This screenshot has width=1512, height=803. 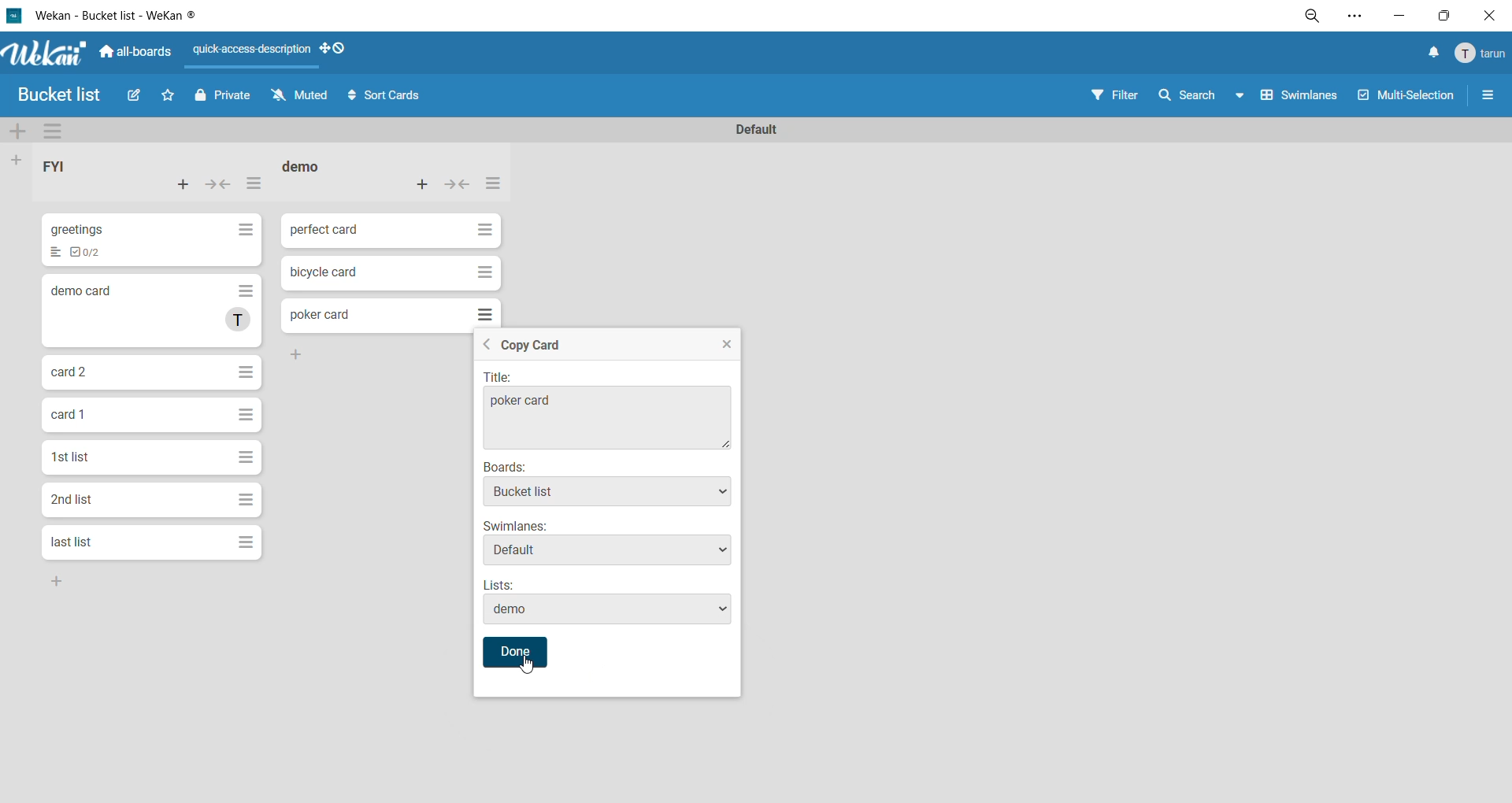 What do you see at coordinates (339, 50) in the screenshot?
I see `show desktop drag handles` at bounding box center [339, 50].